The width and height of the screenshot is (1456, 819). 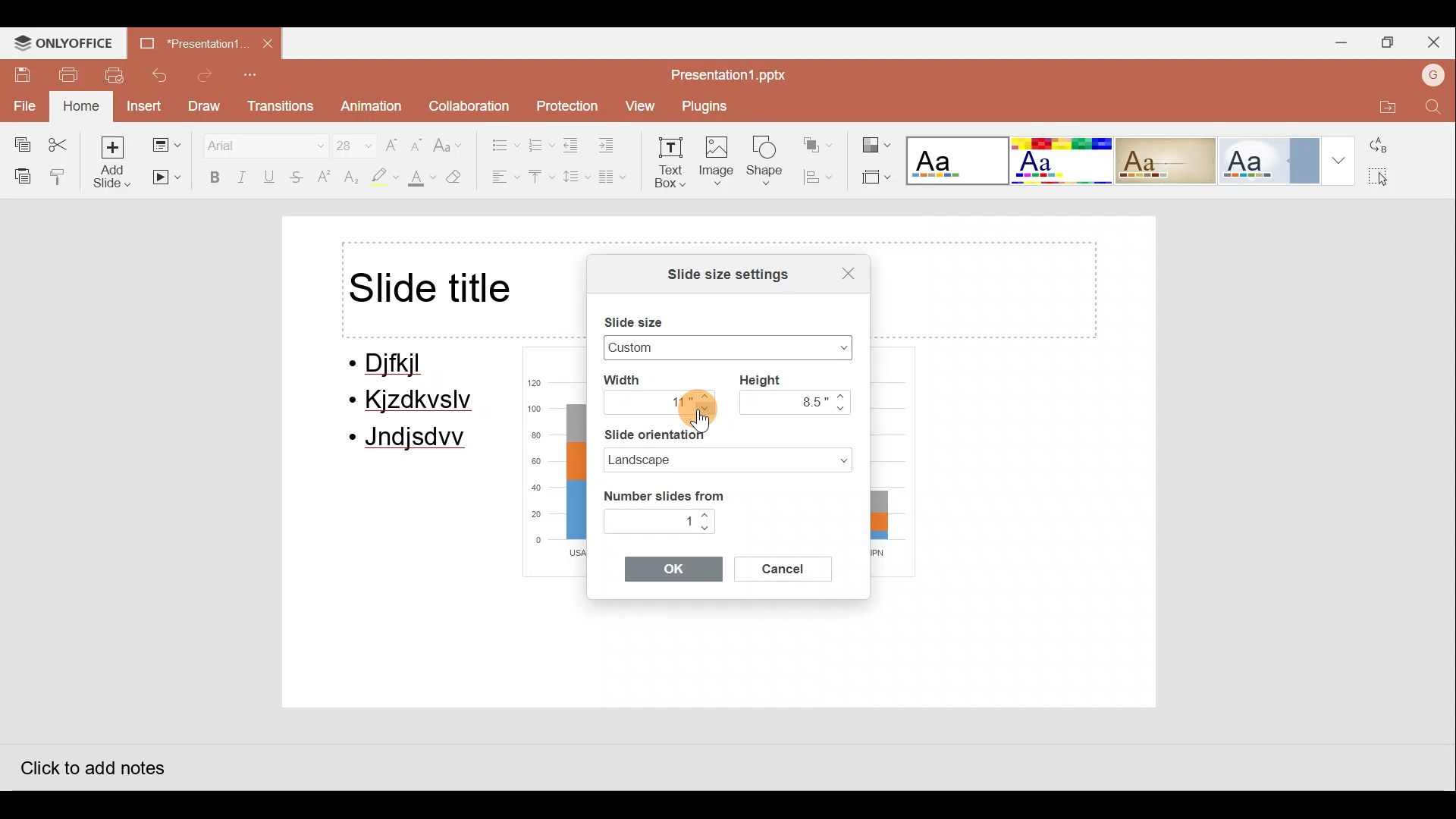 I want to click on Close, so click(x=1437, y=39).